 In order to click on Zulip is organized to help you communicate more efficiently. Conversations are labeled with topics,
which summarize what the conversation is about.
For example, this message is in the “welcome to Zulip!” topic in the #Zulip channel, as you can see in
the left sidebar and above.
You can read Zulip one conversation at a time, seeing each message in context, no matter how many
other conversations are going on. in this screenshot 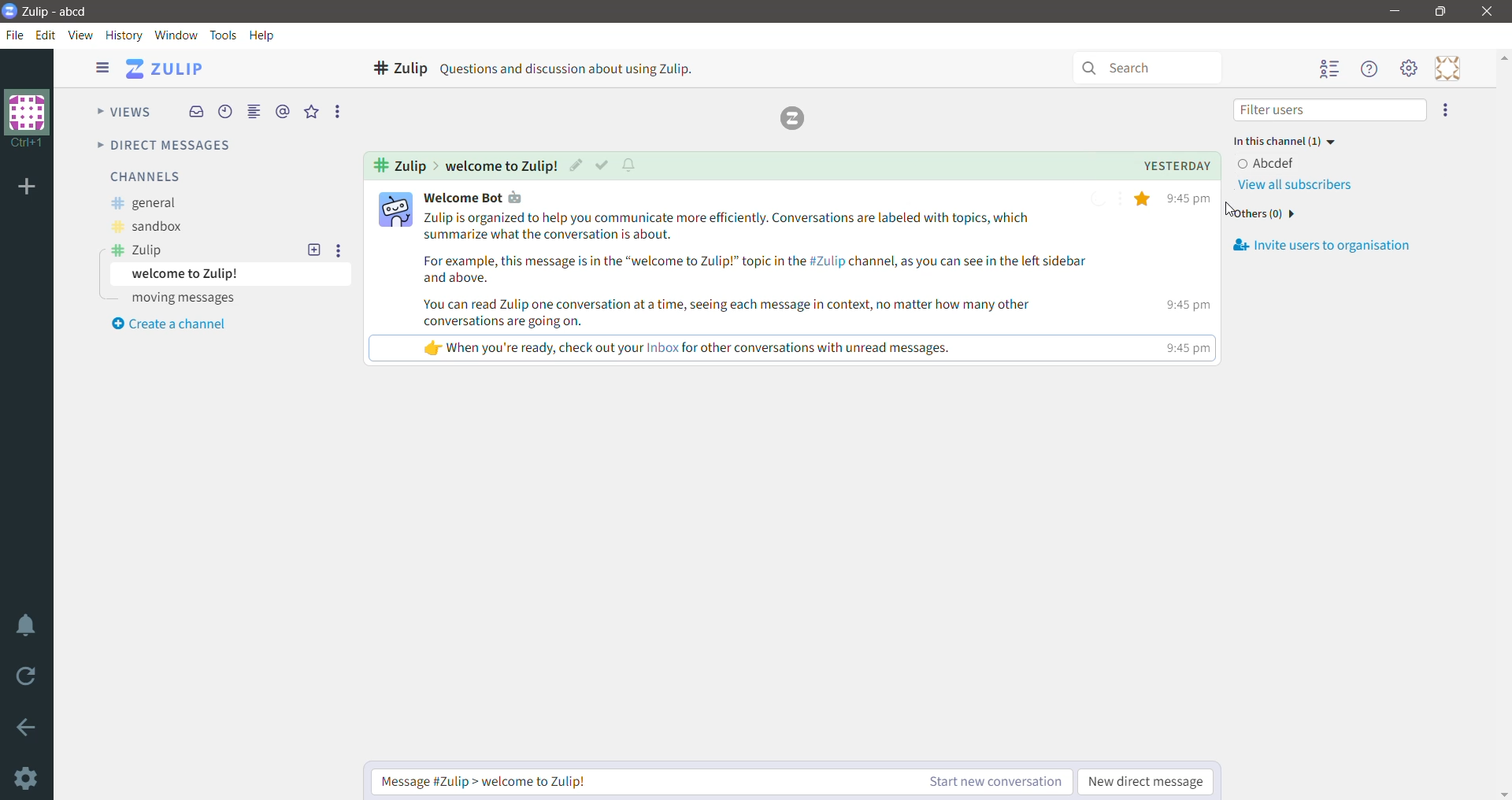, I will do `click(761, 272)`.